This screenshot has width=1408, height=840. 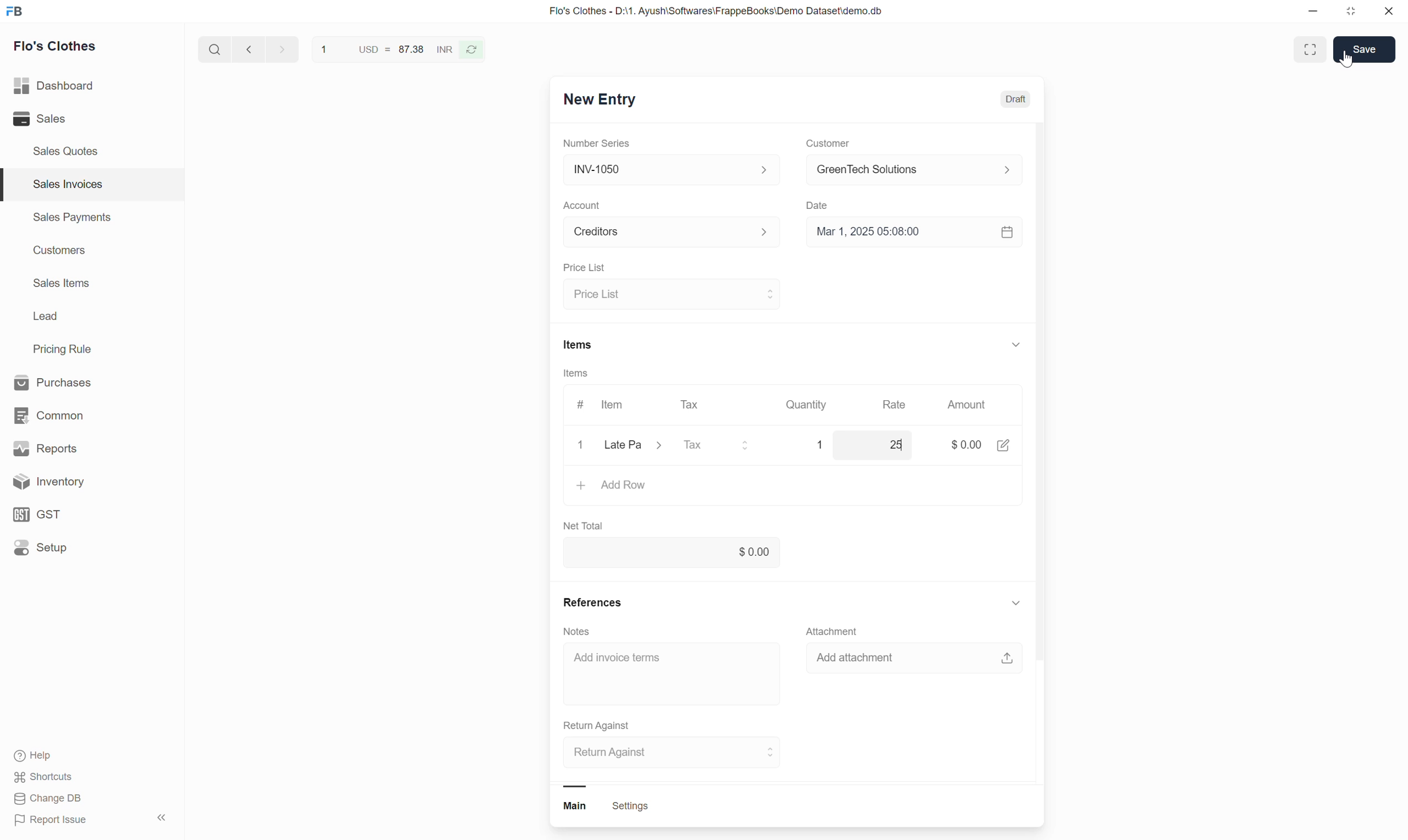 I want to click on Change DB, so click(x=50, y=800).